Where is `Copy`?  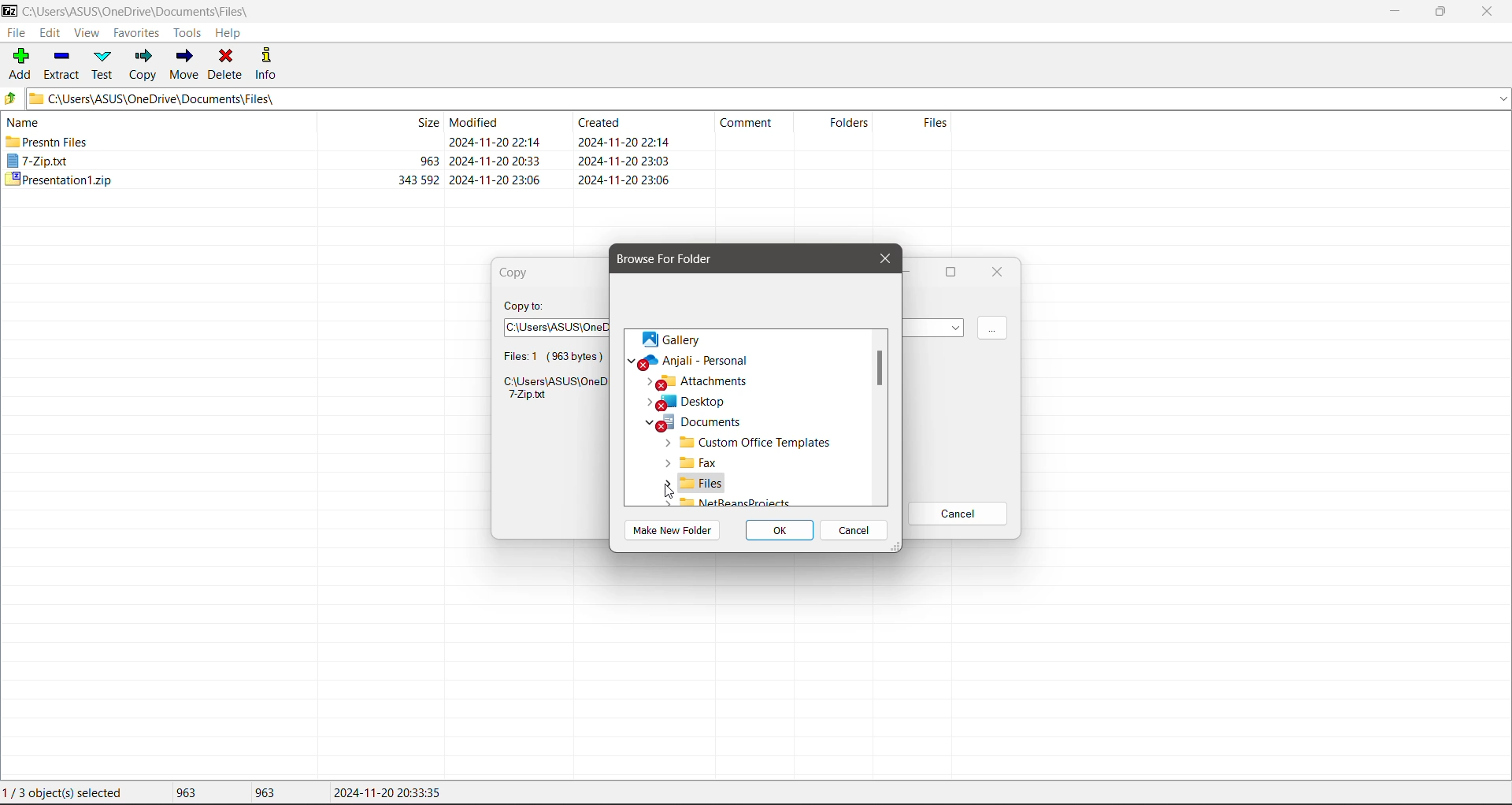 Copy is located at coordinates (143, 64).